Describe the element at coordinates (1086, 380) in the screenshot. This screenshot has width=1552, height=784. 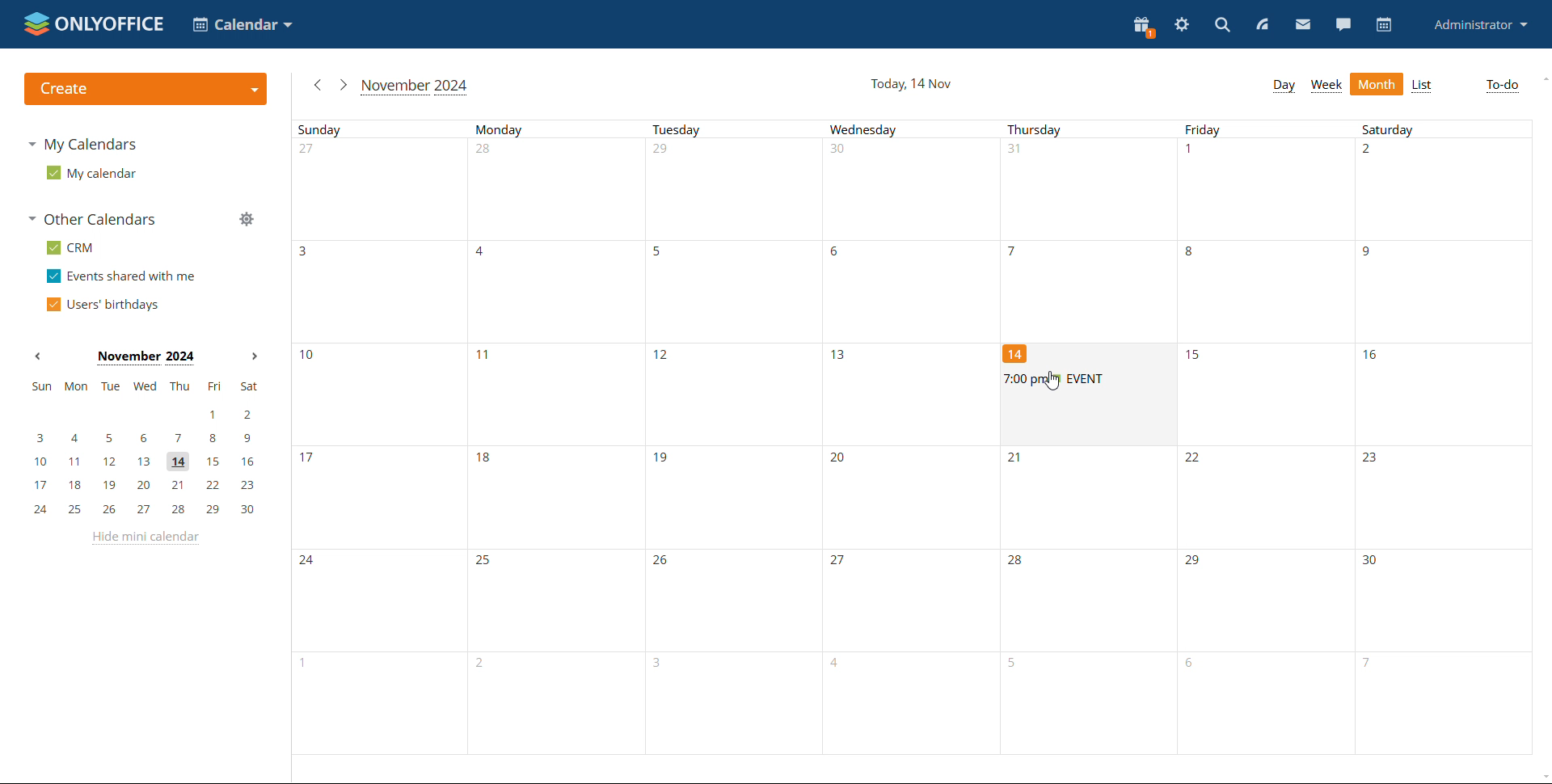
I see `existing event` at that location.